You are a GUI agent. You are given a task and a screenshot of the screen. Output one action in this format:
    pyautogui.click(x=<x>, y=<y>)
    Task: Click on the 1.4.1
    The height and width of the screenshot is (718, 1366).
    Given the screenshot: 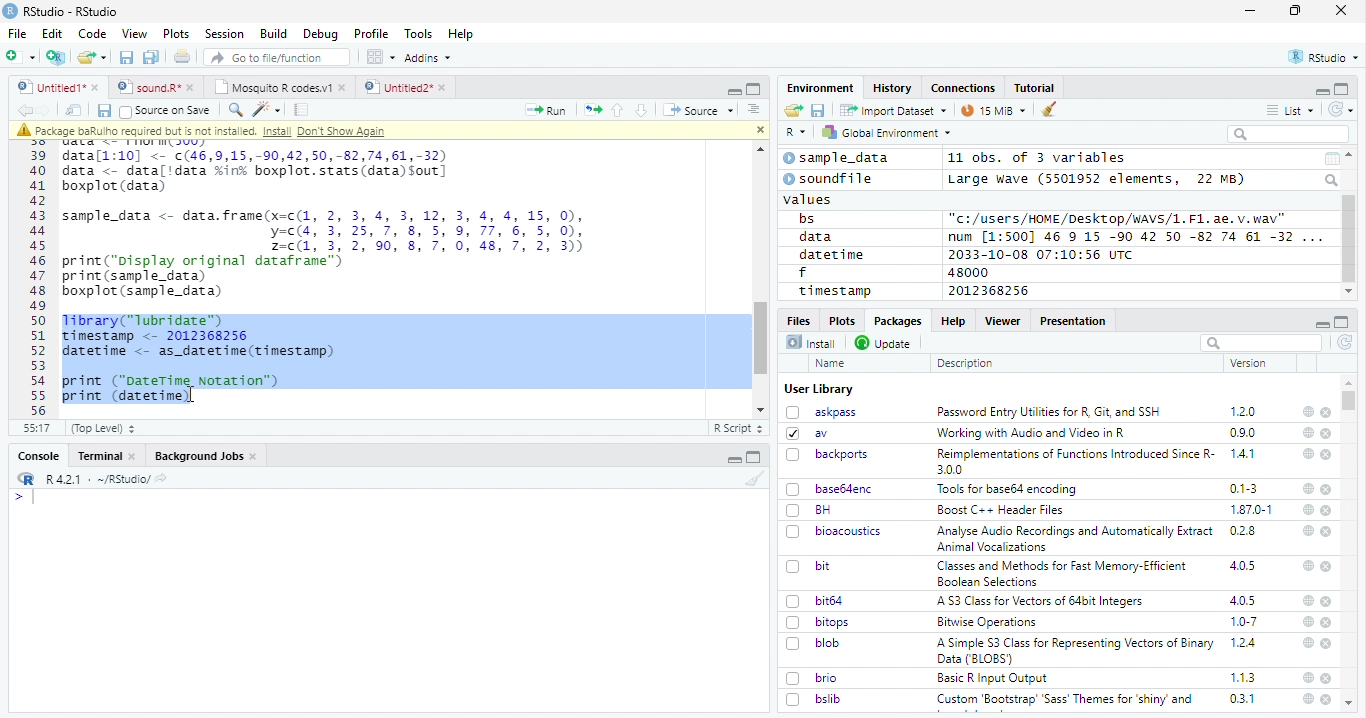 What is the action you would take?
    pyautogui.click(x=1244, y=453)
    